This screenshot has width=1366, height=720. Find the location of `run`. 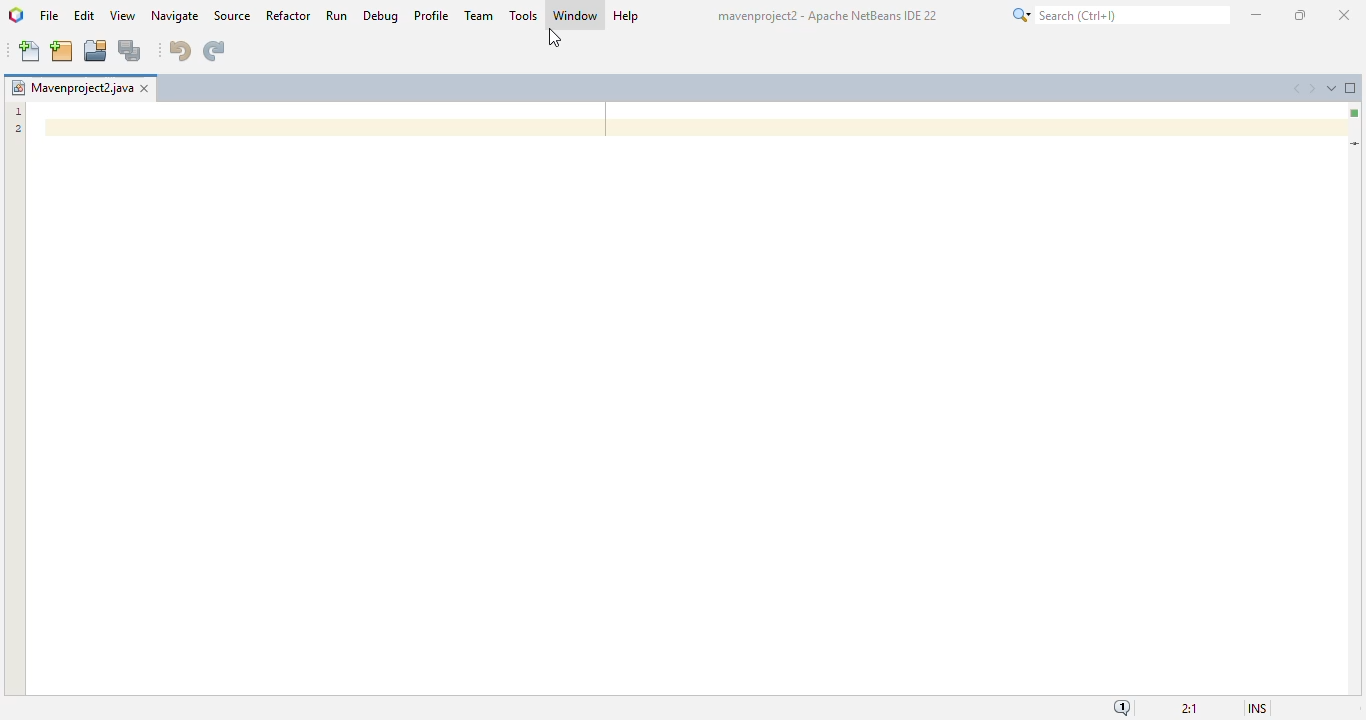

run is located at coordinates (336, 15).